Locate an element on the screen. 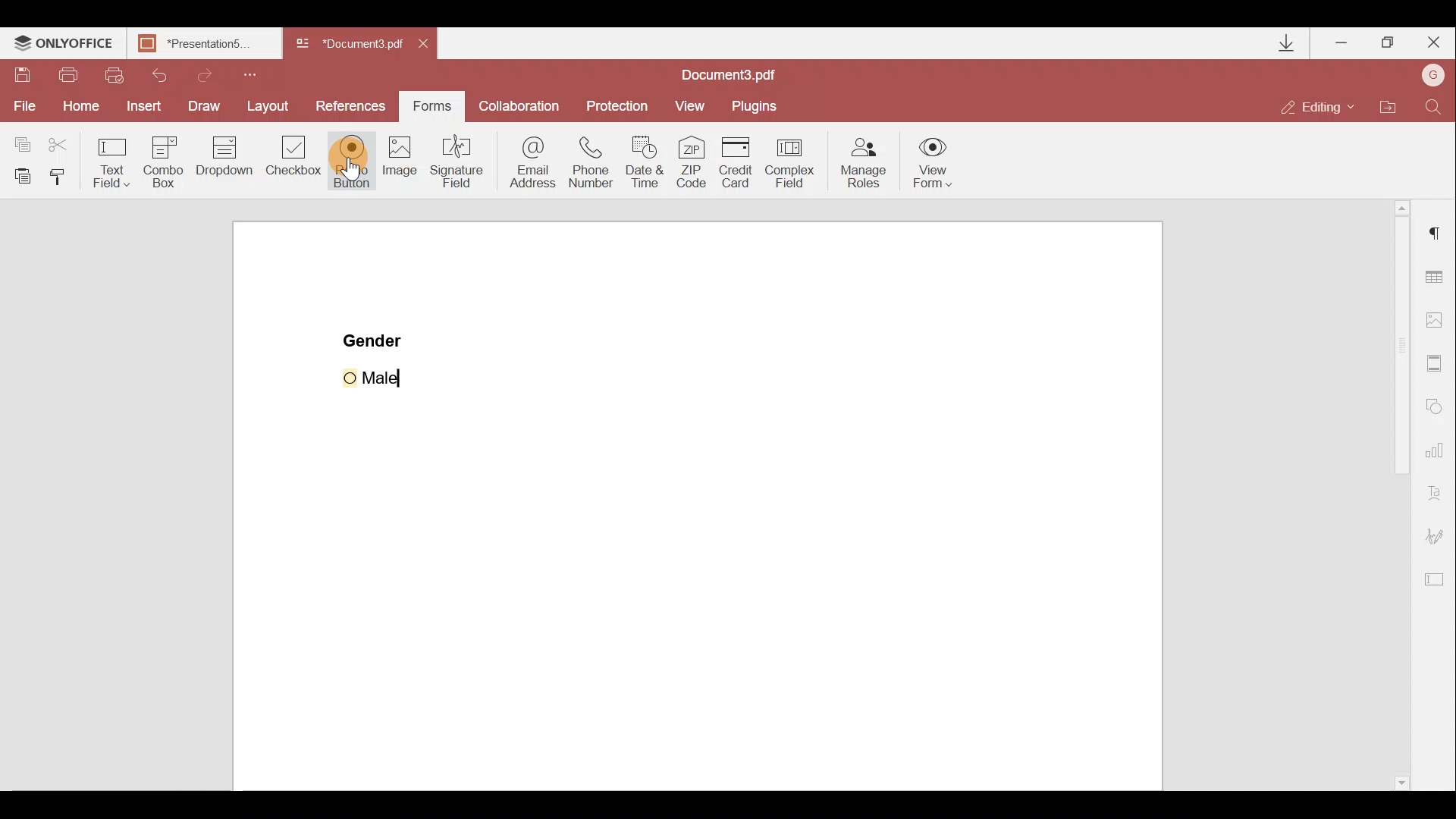 The image size is (1456, 819). Draw is located at coordinates (204, 105).